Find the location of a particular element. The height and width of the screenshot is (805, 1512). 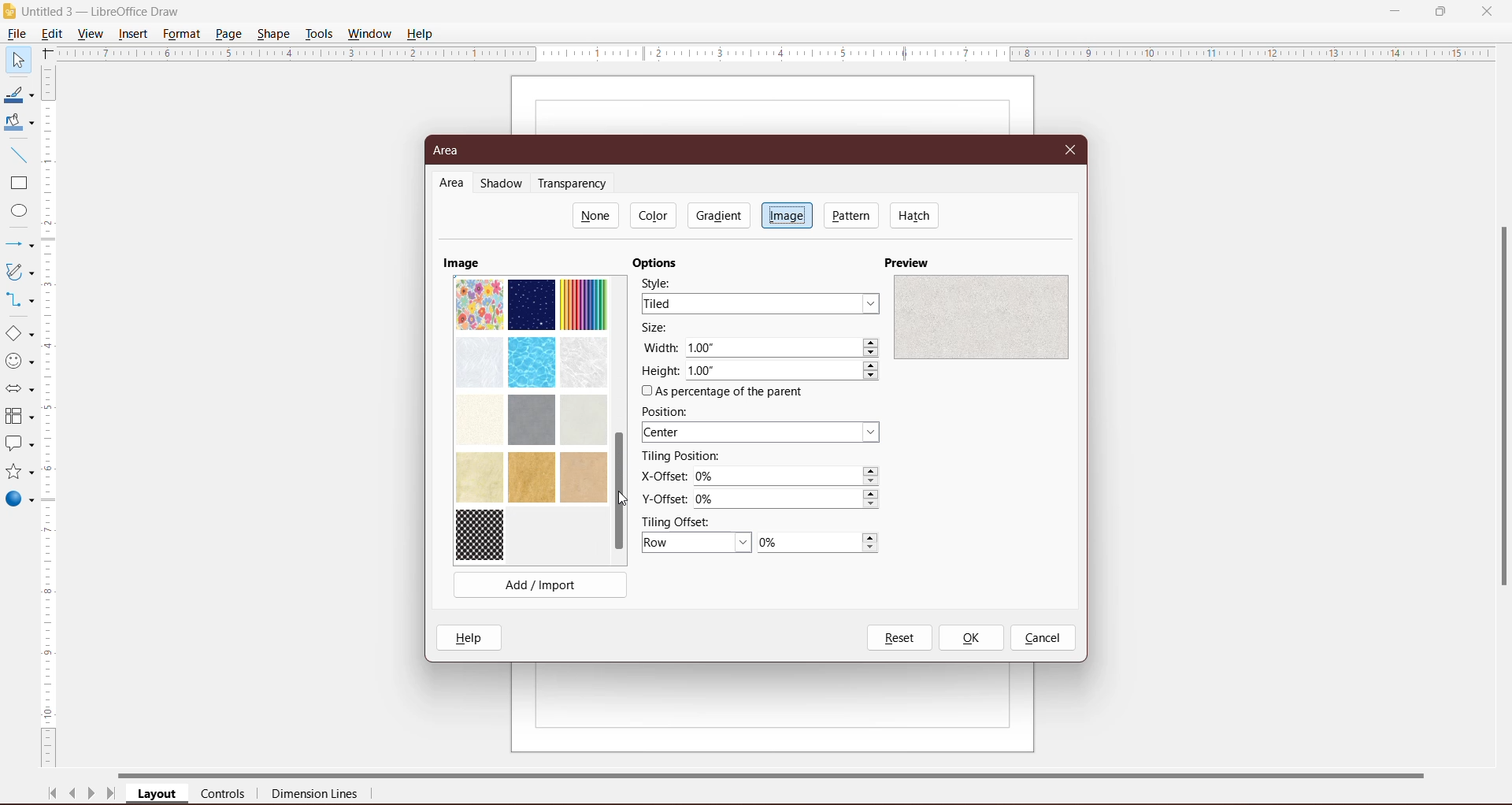

Style is located at coordinates (662, 282).